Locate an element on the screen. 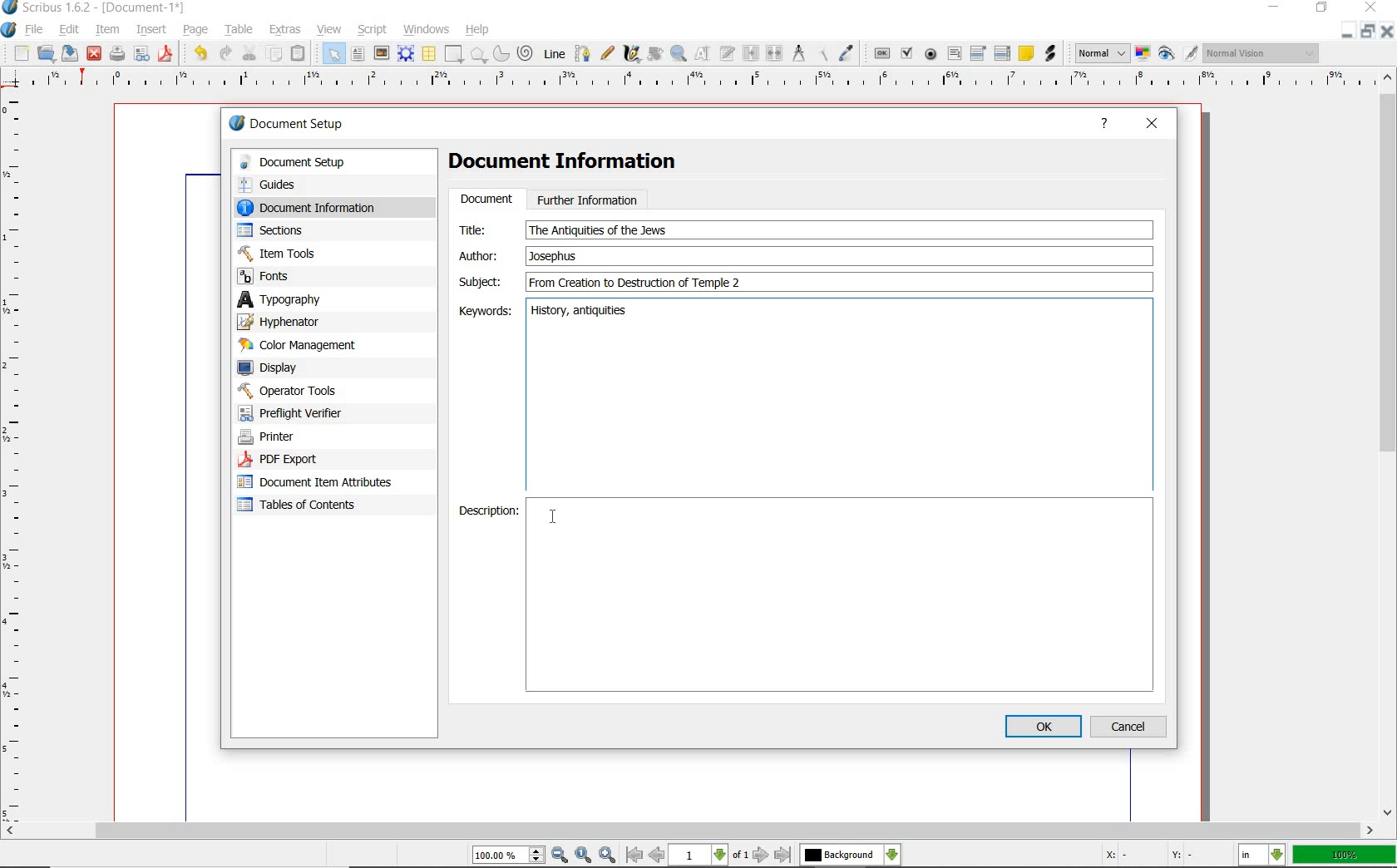  hypenator is located at coordinates (291, 322).